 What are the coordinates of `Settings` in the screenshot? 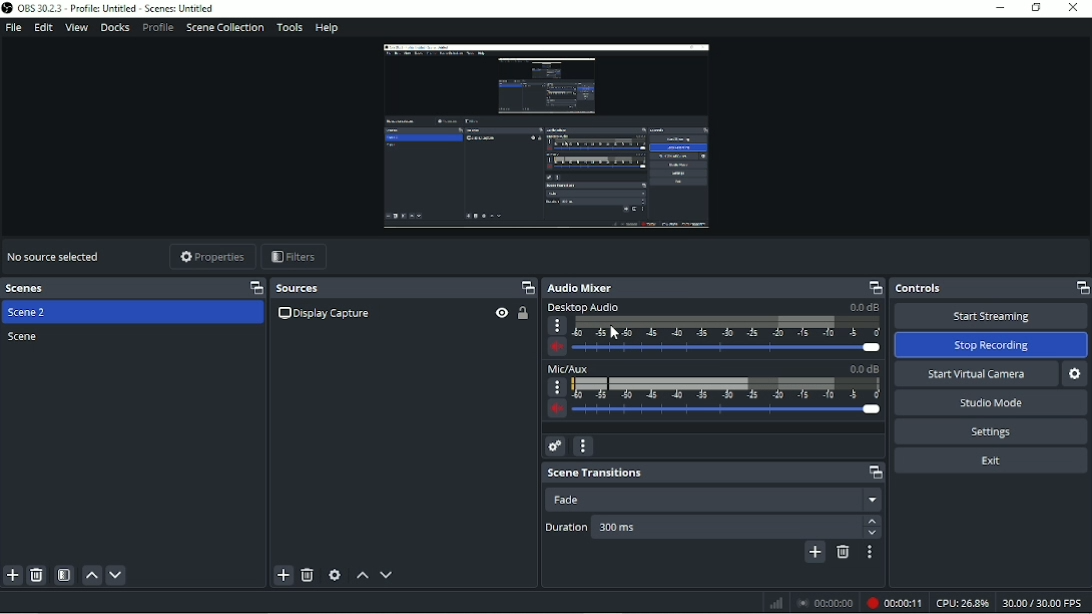 It's located at (993, 432).